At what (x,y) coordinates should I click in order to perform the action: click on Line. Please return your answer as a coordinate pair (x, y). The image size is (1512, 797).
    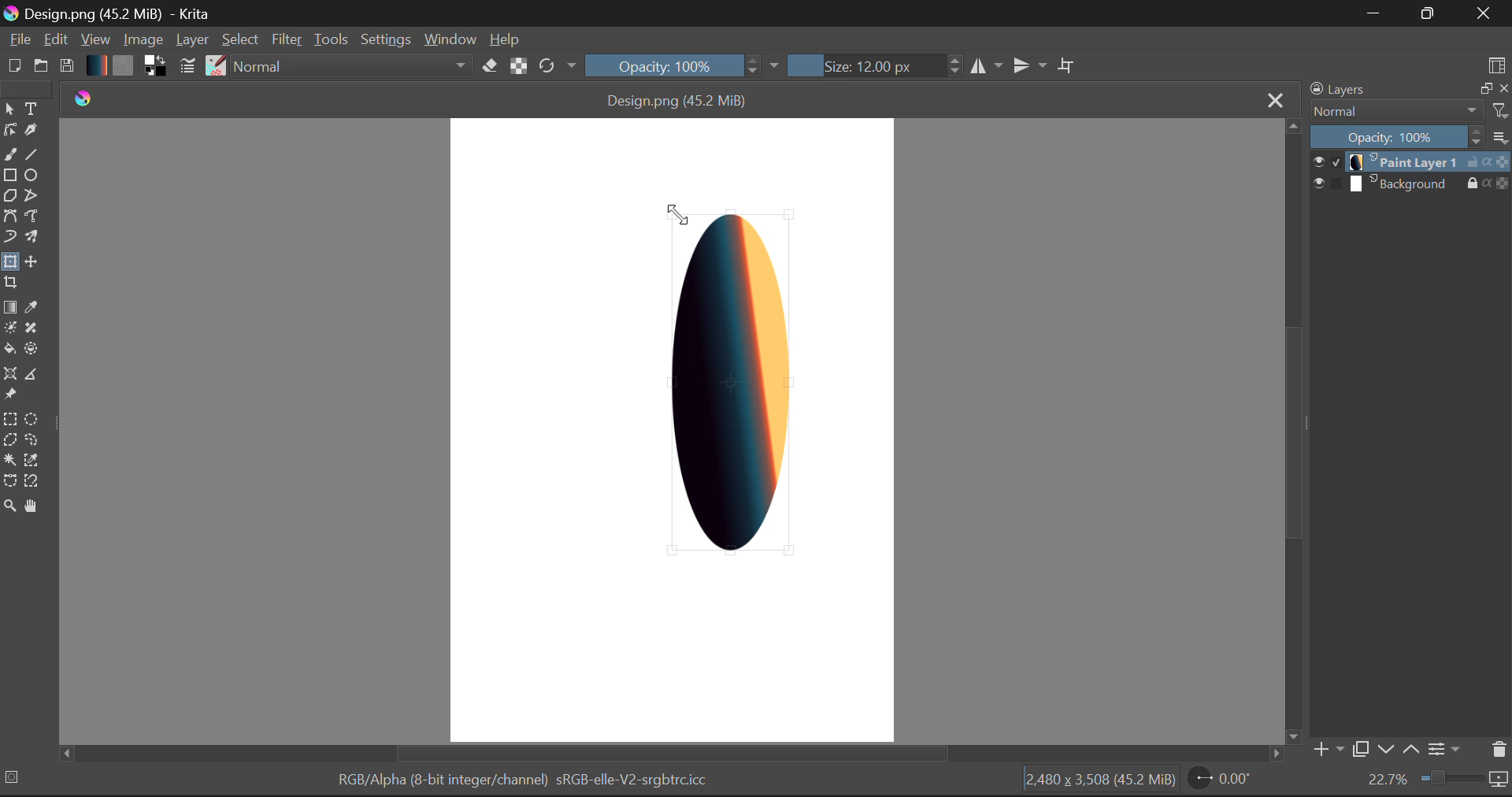
    Looking at the image, I should click on (30, 153).